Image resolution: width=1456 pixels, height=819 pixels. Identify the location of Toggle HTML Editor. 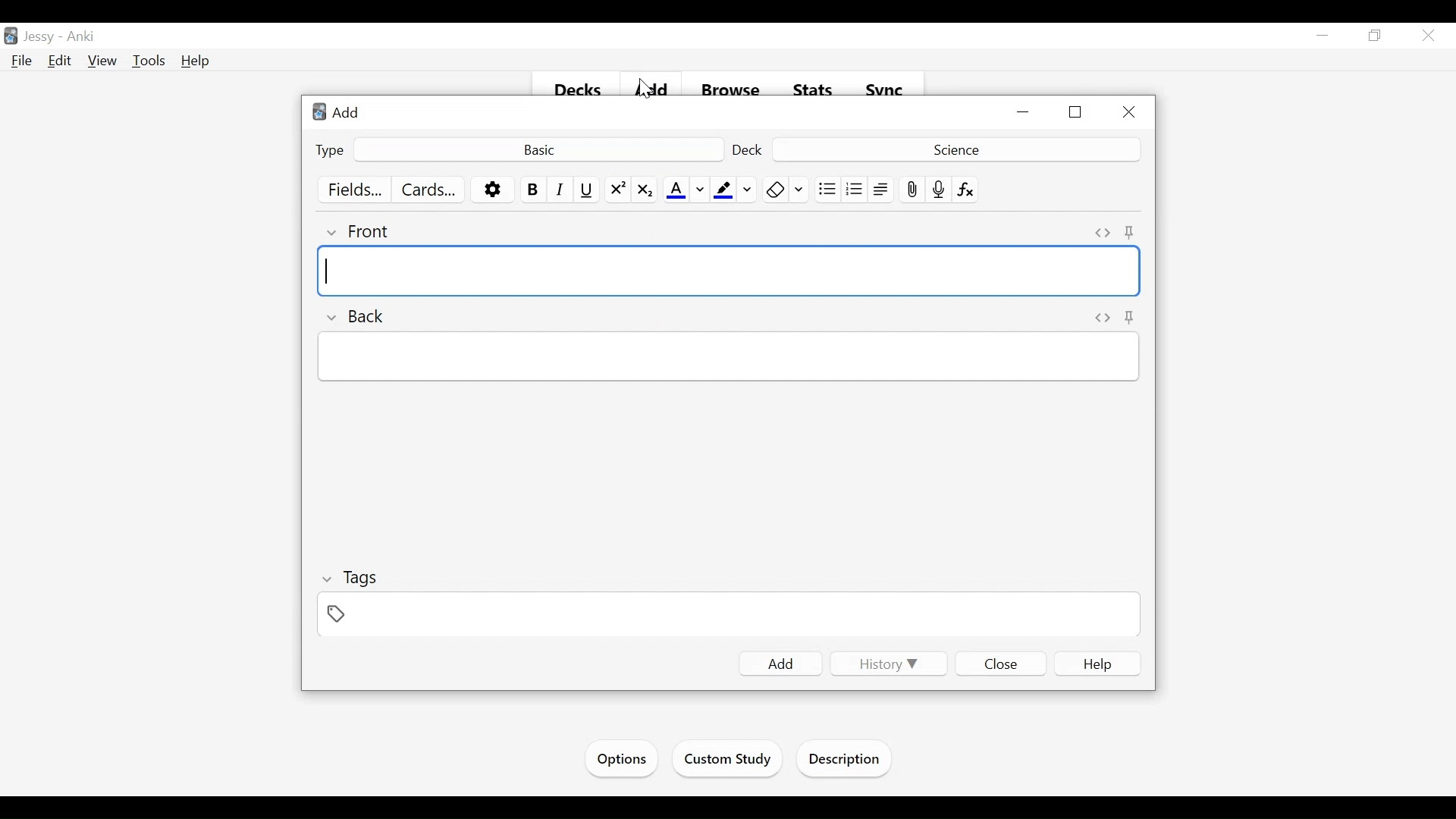
(1103, 233).